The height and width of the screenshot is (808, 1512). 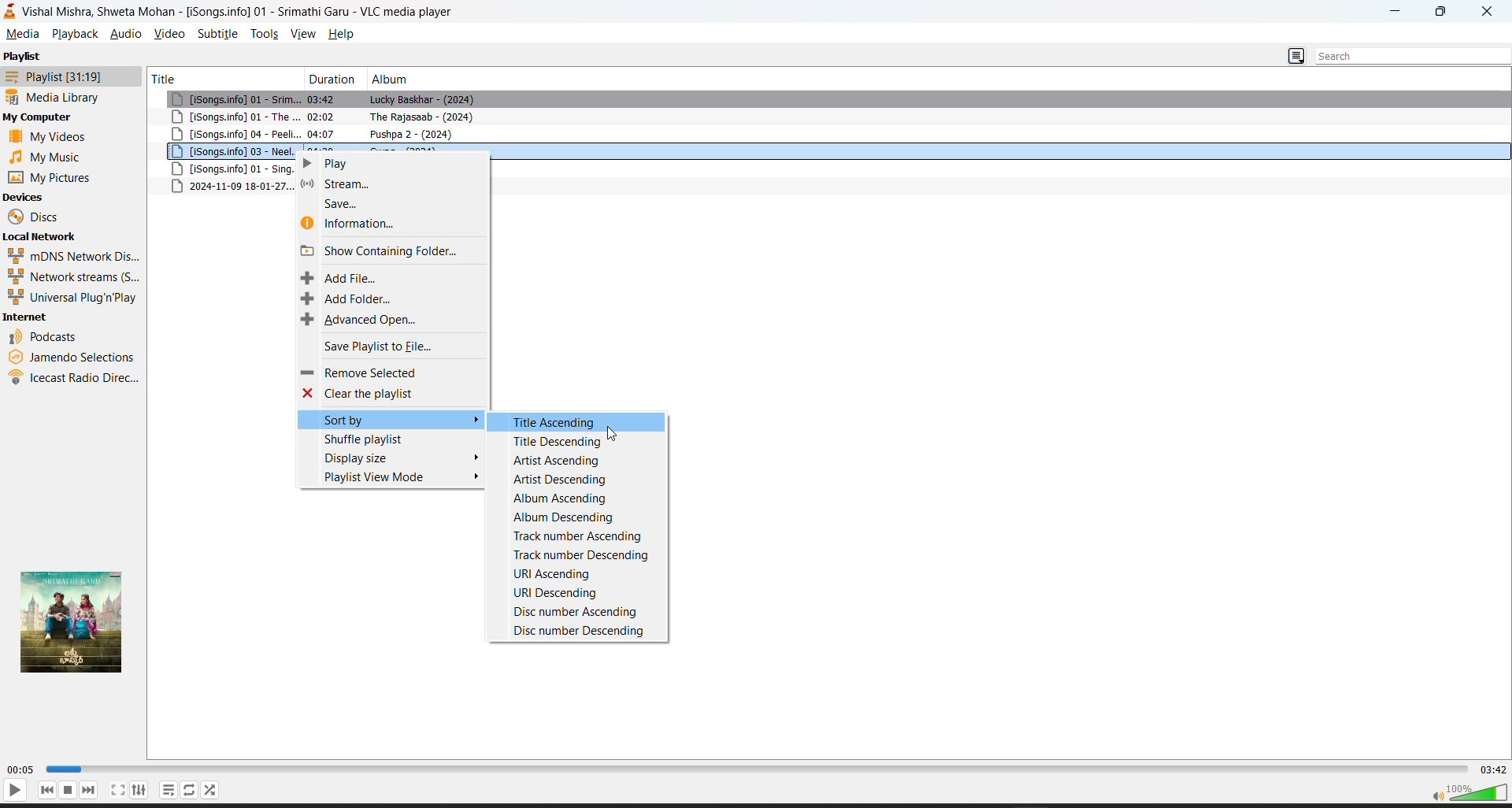 I want to click on track number ascending, so click(x=576, y=537).